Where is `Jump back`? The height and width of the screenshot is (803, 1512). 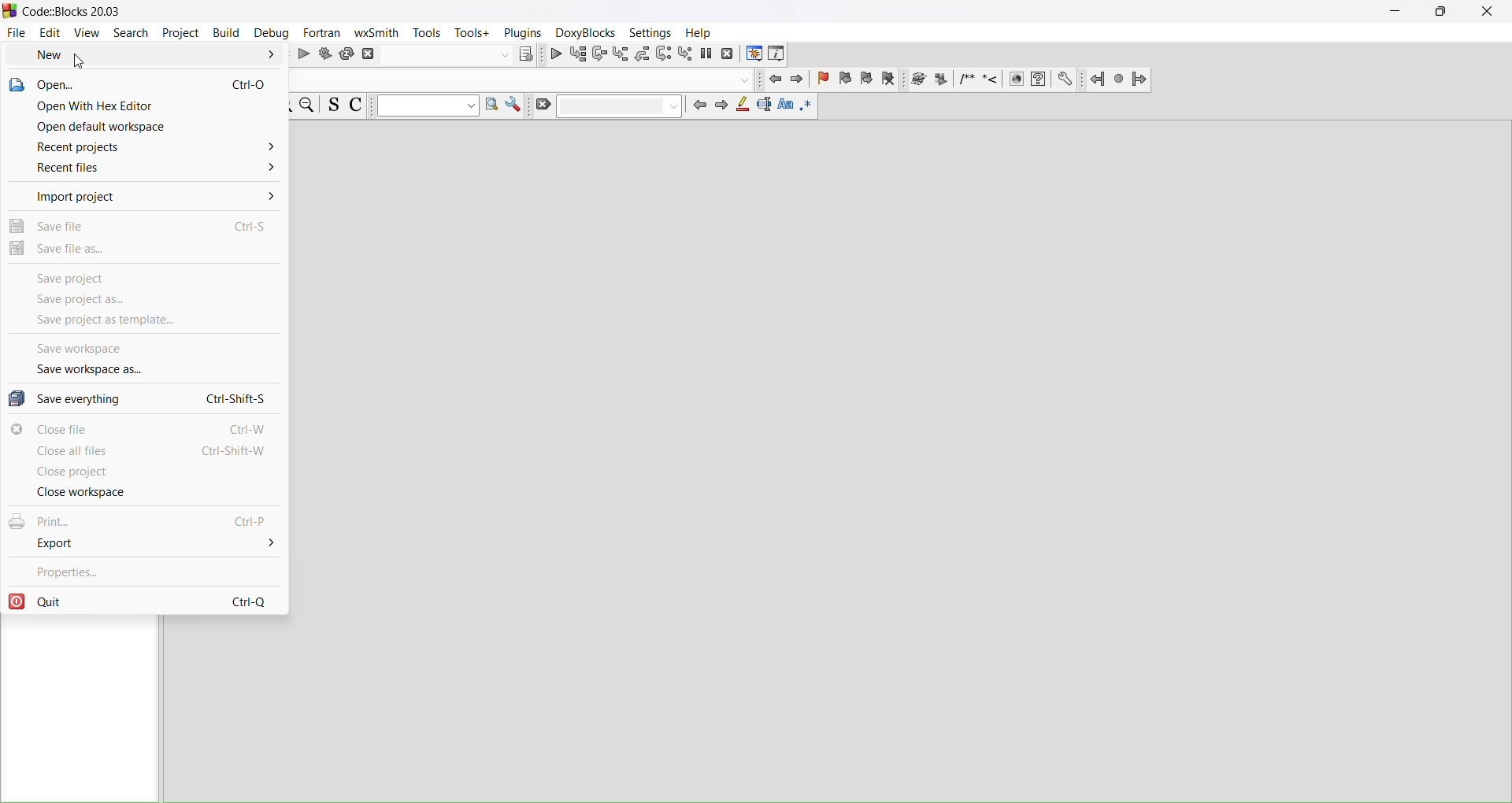 Jump back is located at coordinates (1097, 78).